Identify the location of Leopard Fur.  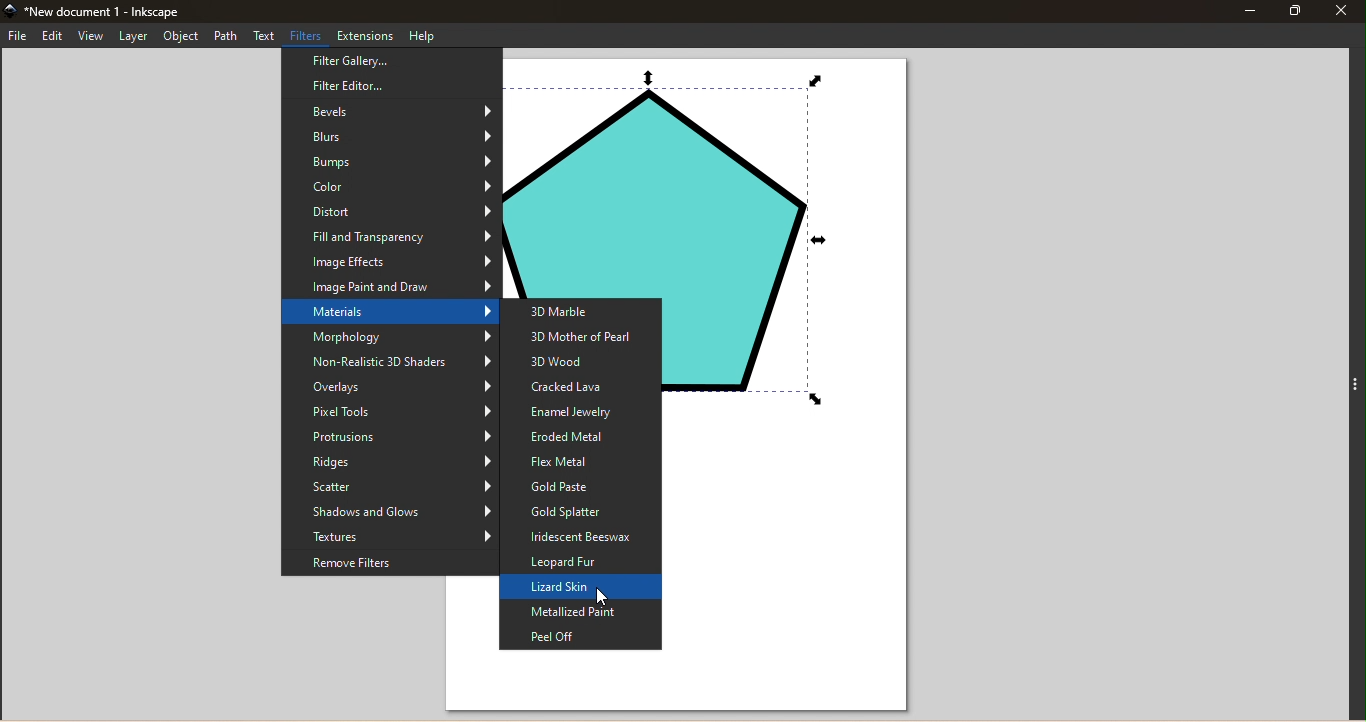
(580, 563).